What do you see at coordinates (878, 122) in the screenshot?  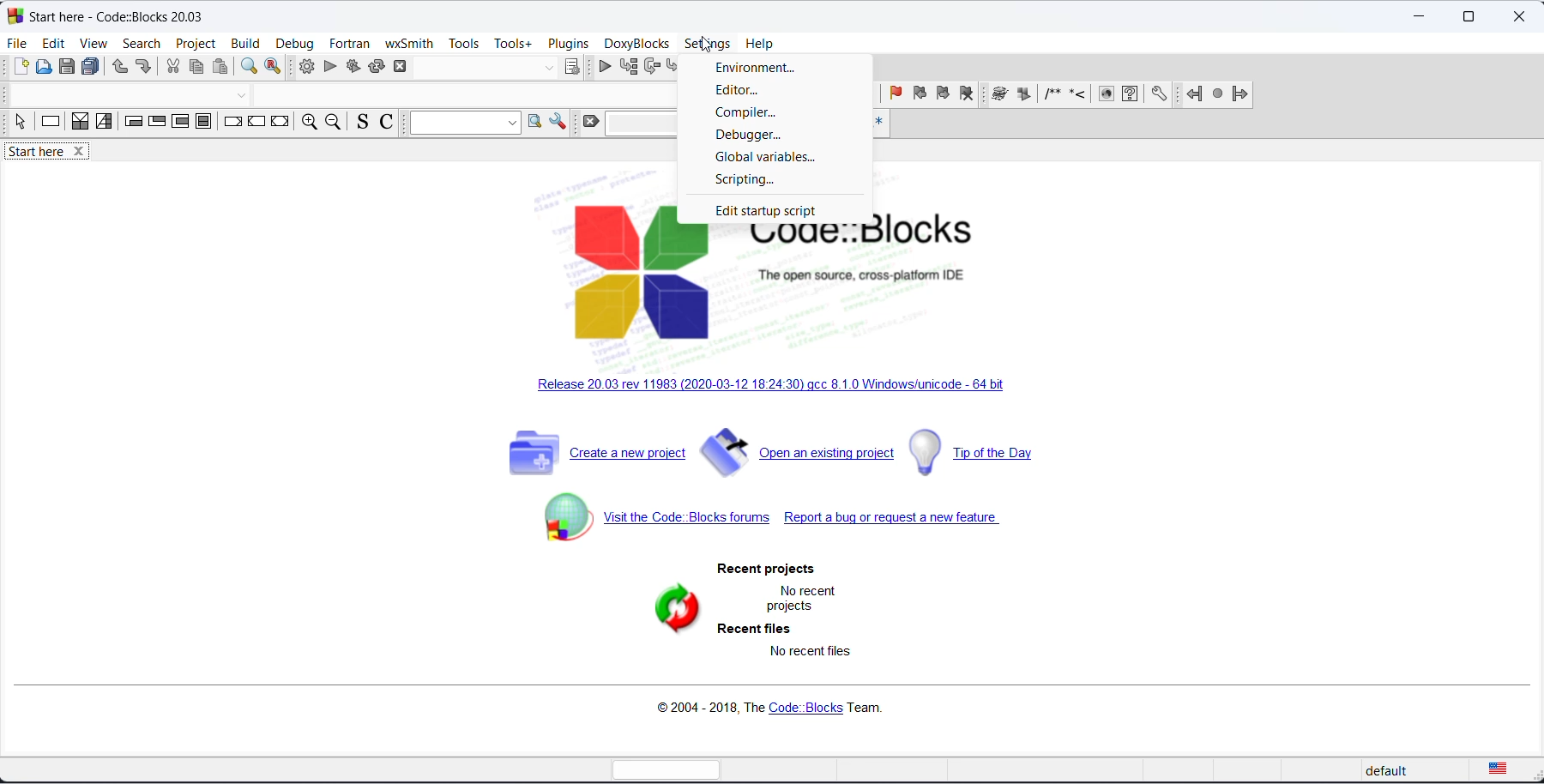 I see `use regex` at bounding box center [878, 122].